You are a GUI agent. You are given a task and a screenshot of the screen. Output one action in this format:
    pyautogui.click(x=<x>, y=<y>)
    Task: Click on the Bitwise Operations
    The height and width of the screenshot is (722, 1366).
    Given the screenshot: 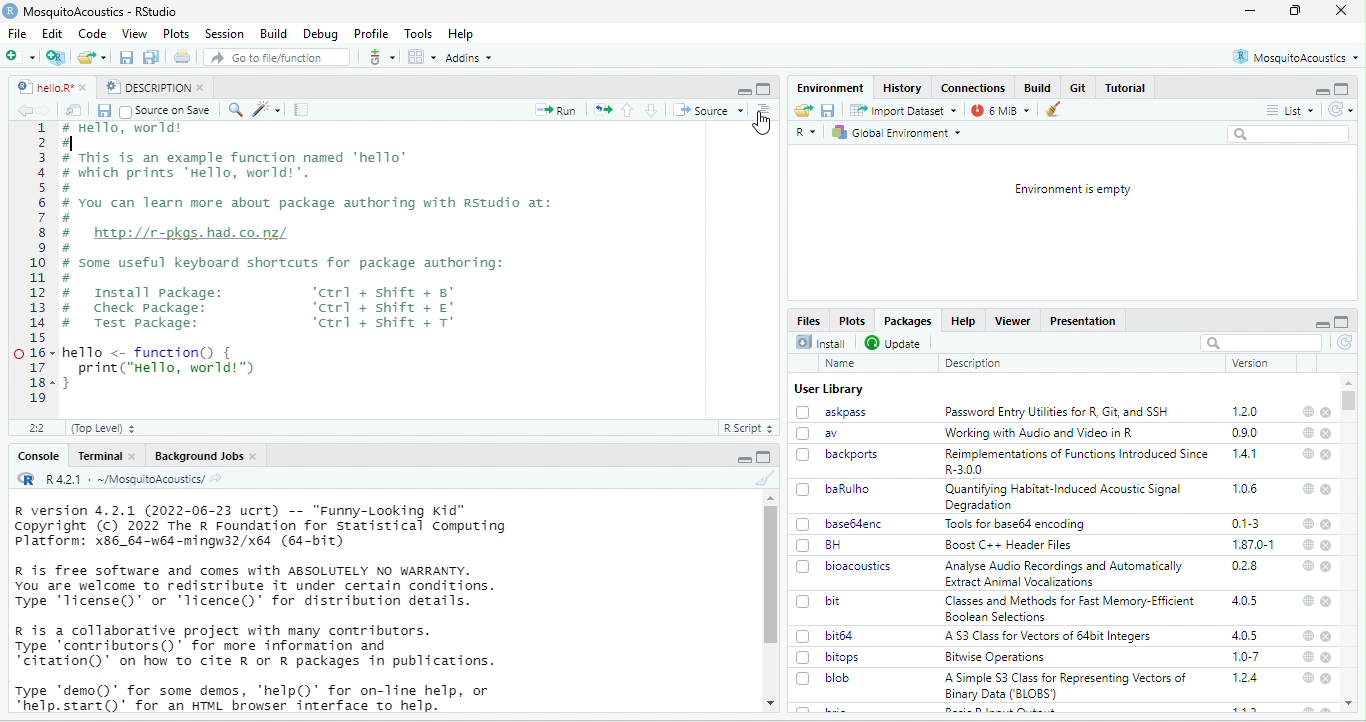 What is the action you would take?
    pyautogui.click(x=993, y=658)
    